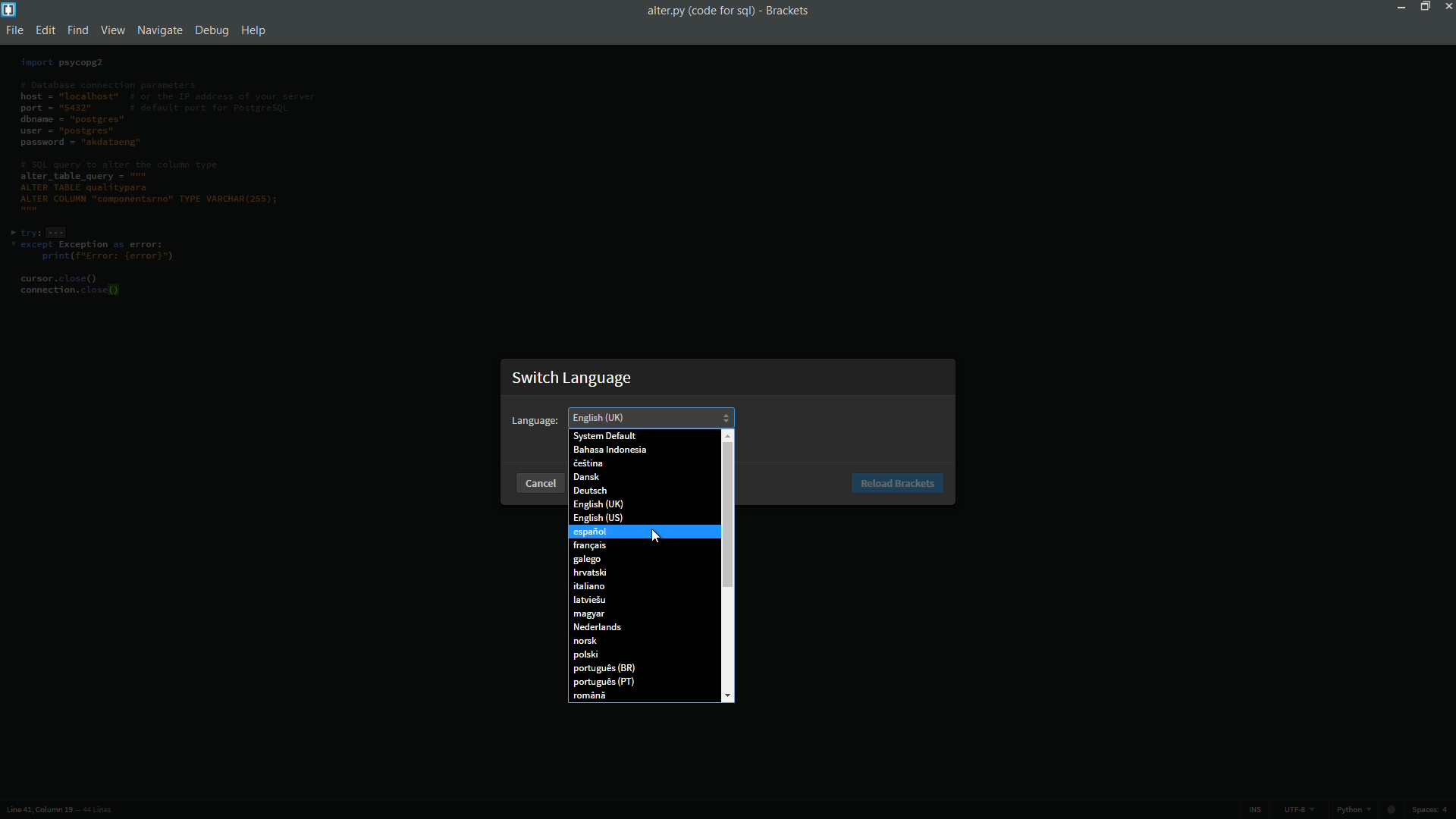  I want to click on file encoding, so click(1298, 810).